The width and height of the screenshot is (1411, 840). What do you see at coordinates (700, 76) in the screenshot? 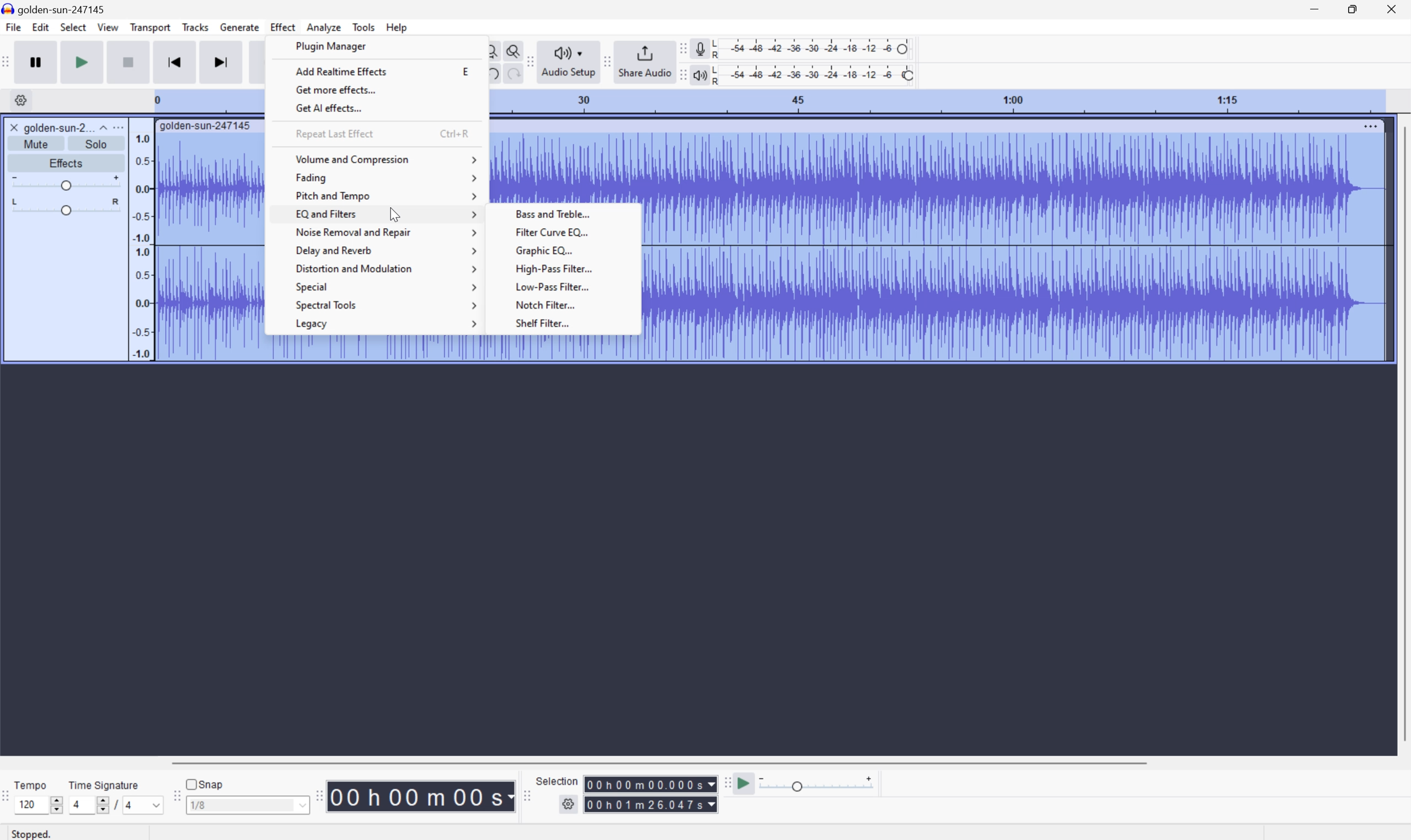
I see `Playback meter` at bounding box center [700, 76].